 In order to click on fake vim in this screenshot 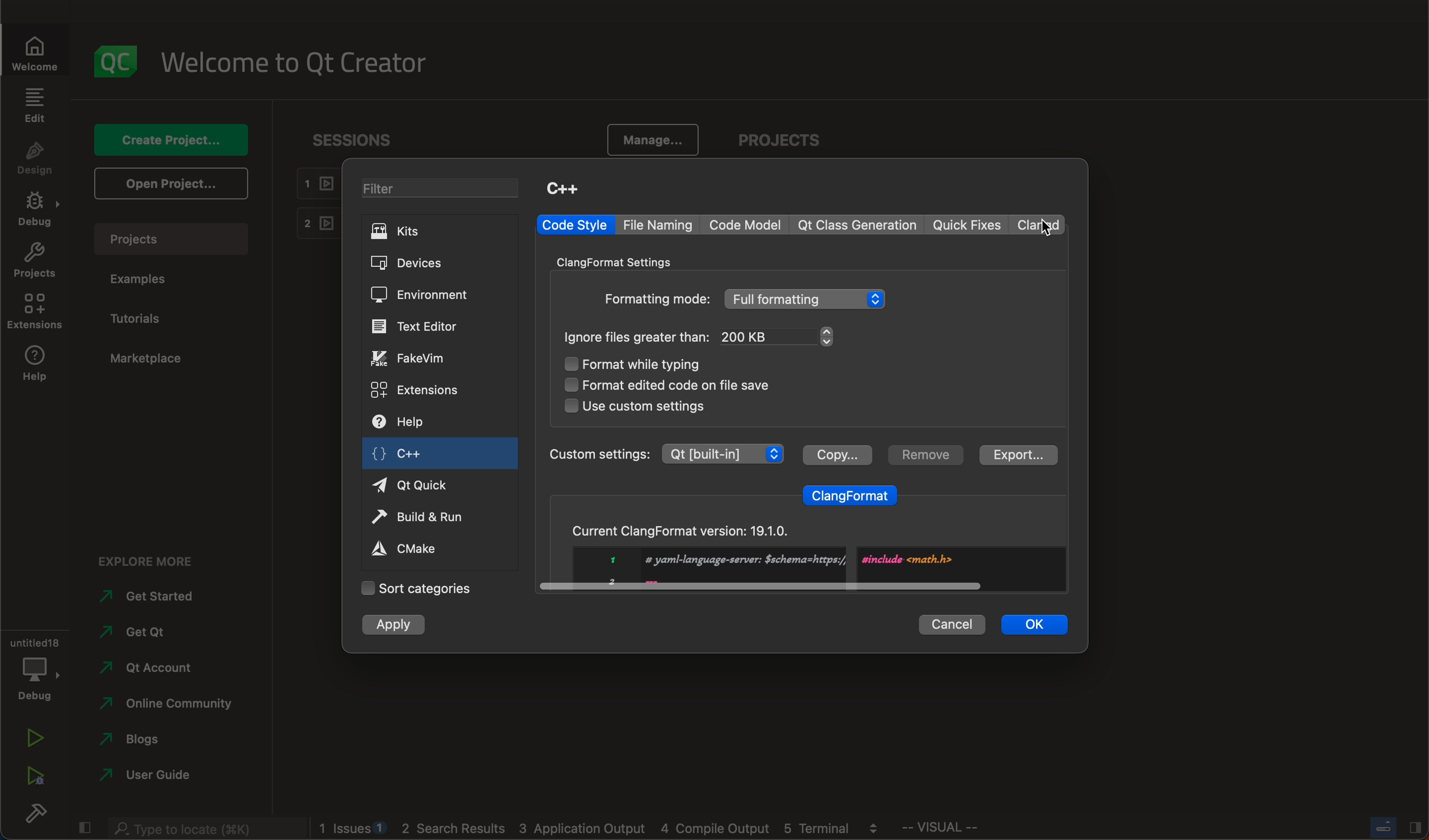, I will do `click(418, 359)`.